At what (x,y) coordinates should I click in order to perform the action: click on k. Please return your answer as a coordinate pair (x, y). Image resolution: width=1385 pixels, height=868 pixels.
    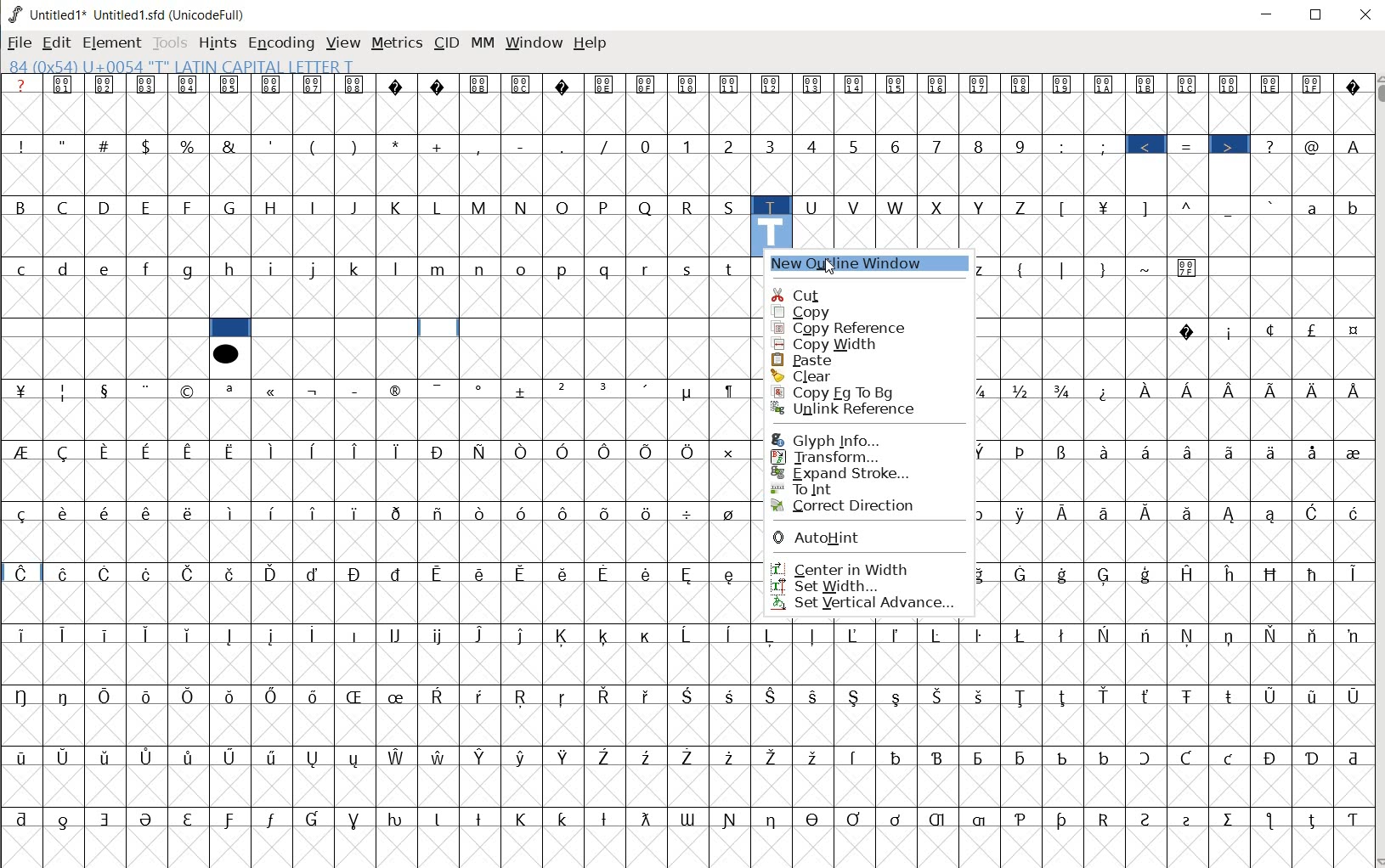
    Looking at the image, I should click on (355, 268).